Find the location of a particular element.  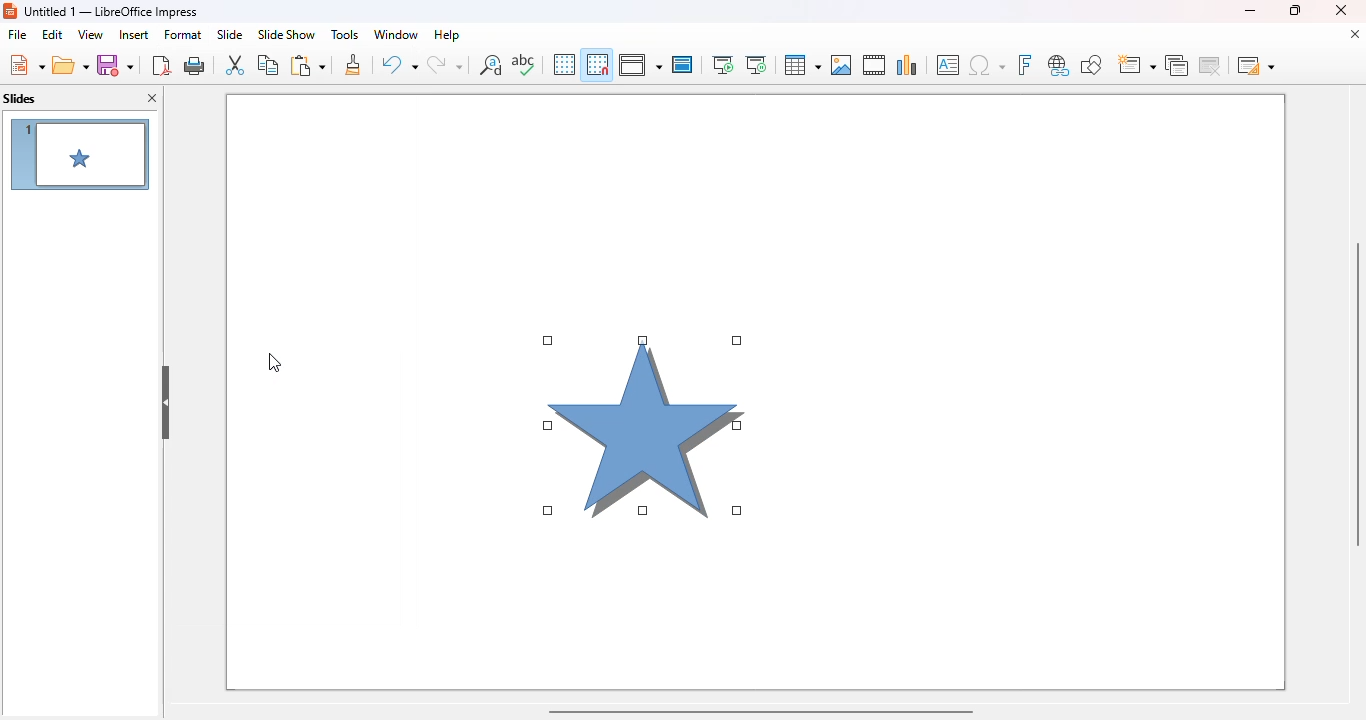

master slide is located at coordinates (682, 64).